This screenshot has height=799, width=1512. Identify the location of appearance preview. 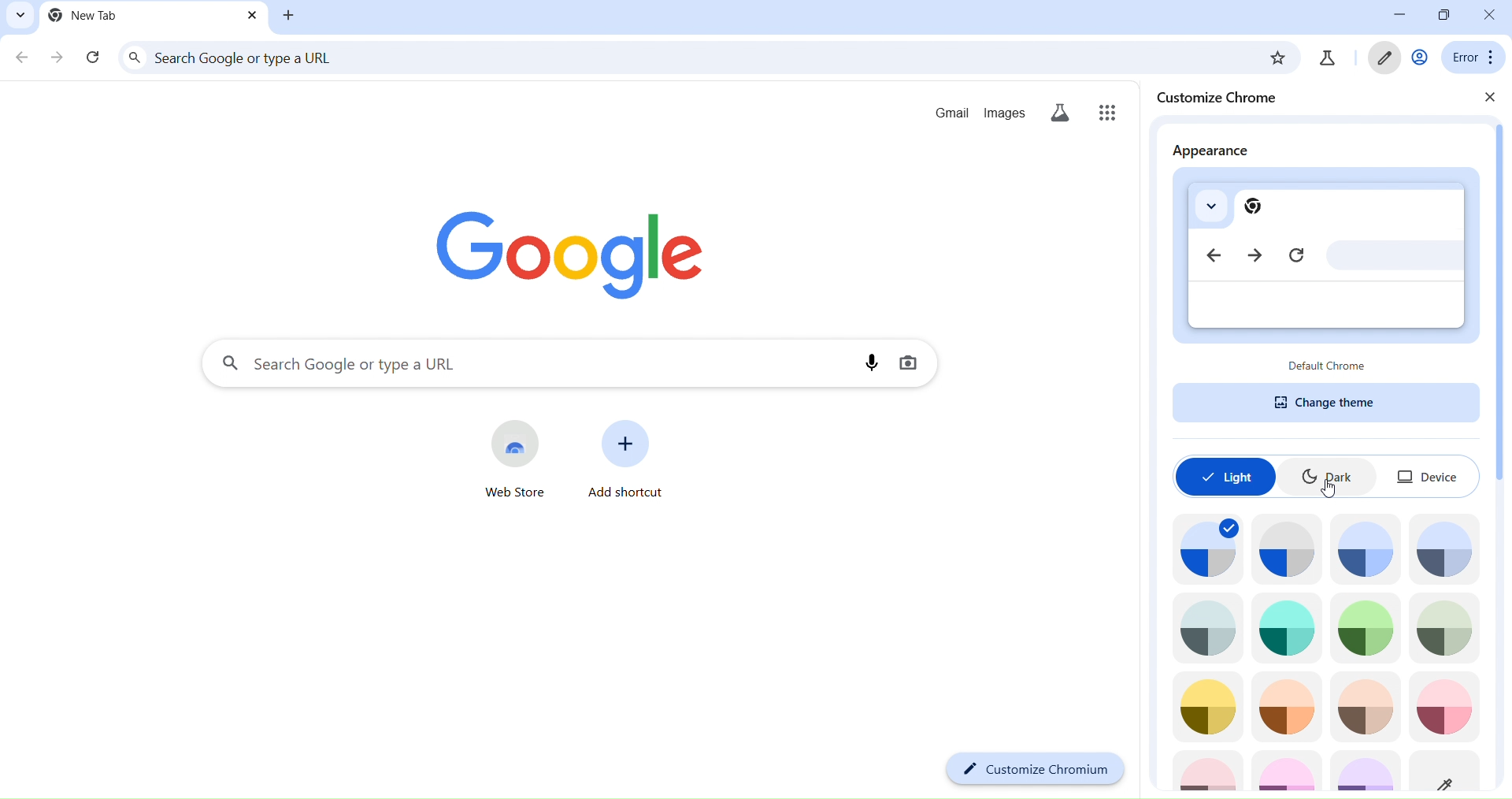
(1323, 255).